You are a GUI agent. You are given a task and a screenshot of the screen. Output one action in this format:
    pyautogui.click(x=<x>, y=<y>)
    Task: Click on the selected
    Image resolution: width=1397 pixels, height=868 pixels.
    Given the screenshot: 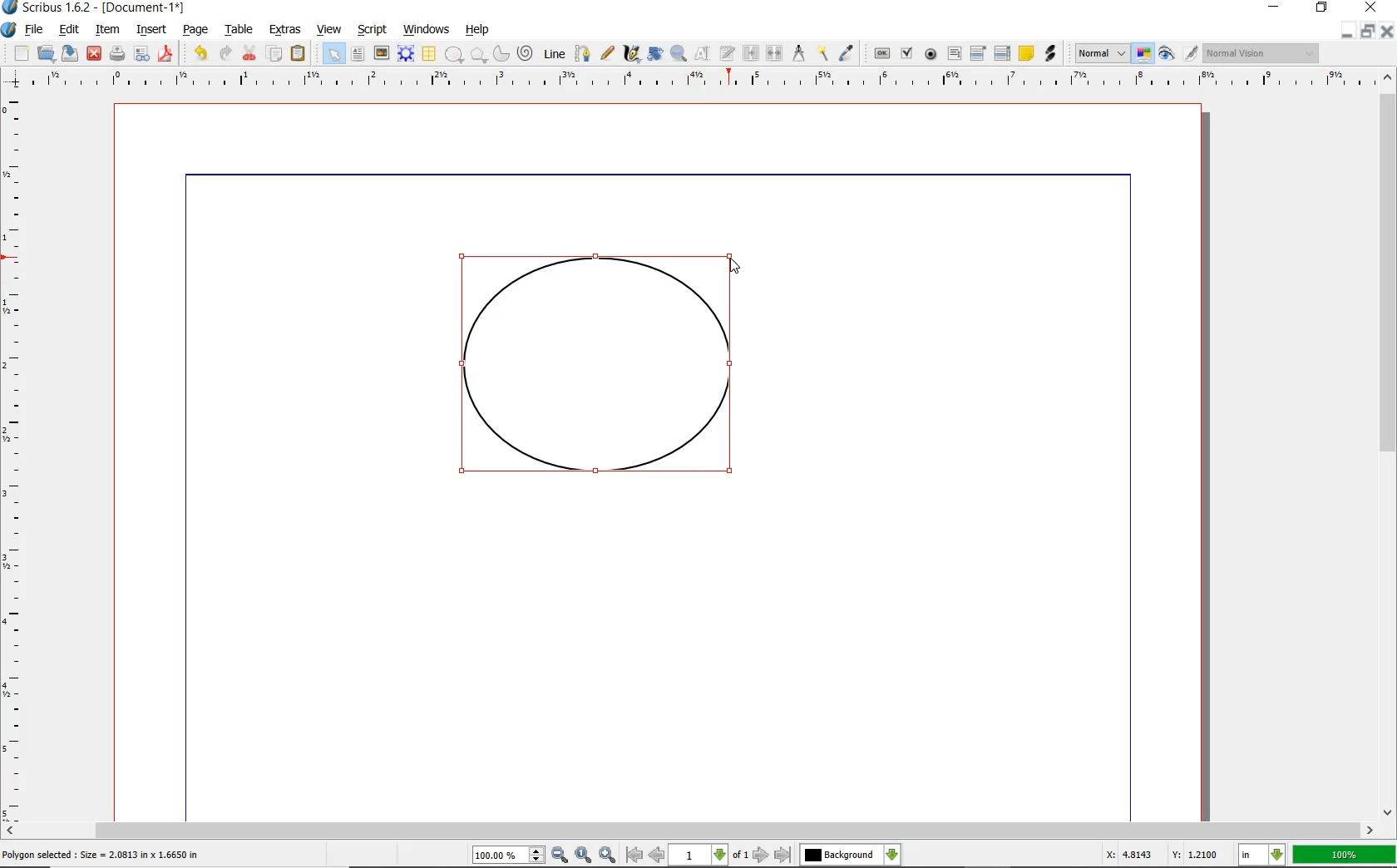 What is the action you would take?
    pyautogui.click(x=101, y=856)
    